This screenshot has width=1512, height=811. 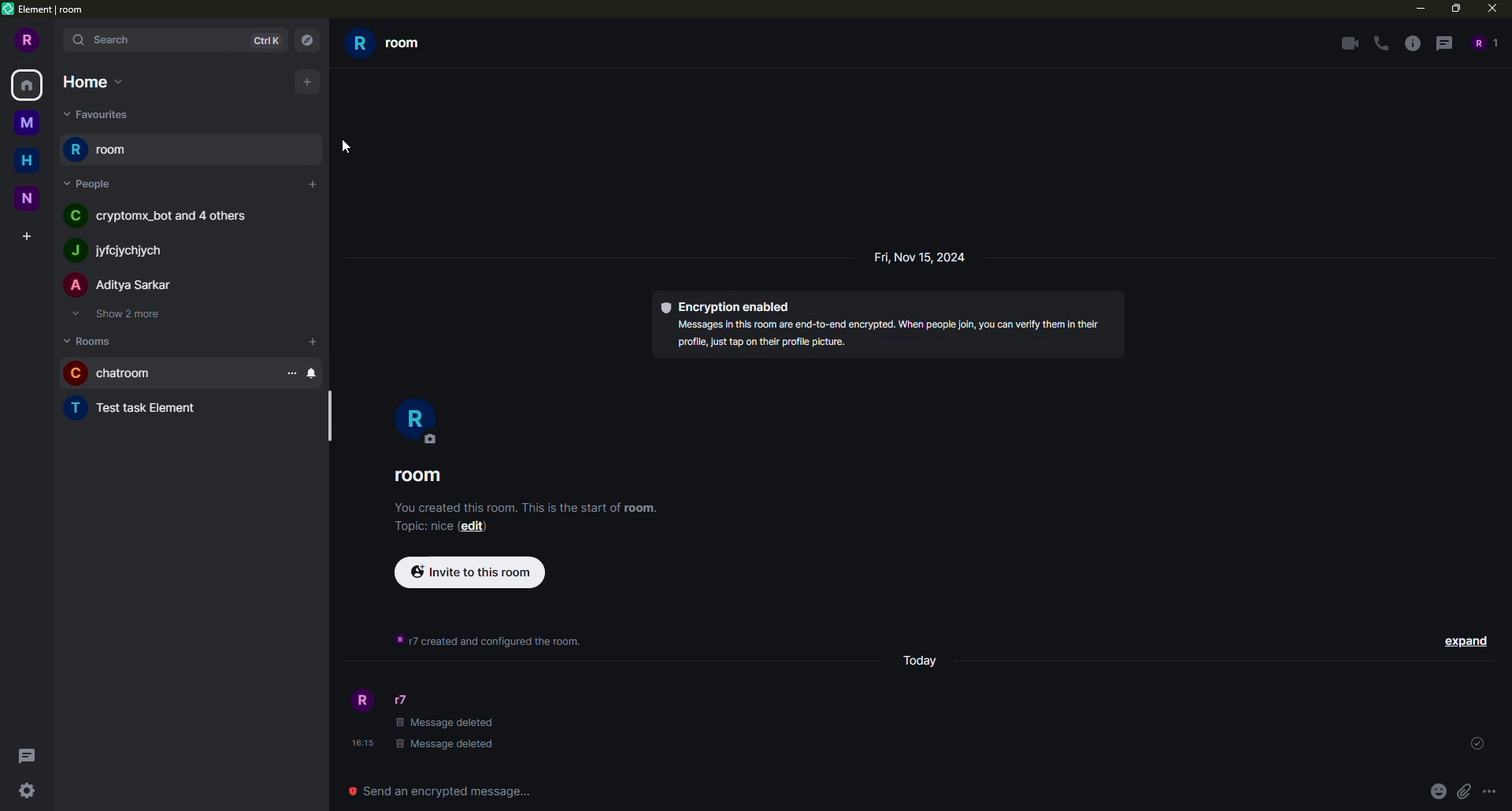 I want to click on bell, so click(x=313, y=372).